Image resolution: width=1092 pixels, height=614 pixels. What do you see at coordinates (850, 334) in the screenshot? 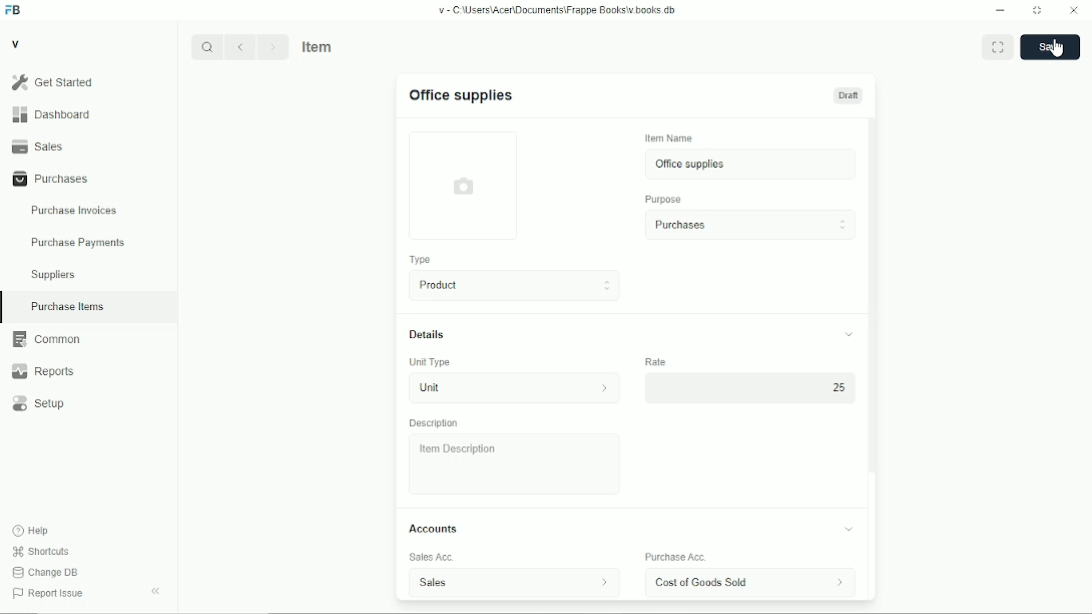
I see `toggle collapse/expand` at bounding box center [850, 334].